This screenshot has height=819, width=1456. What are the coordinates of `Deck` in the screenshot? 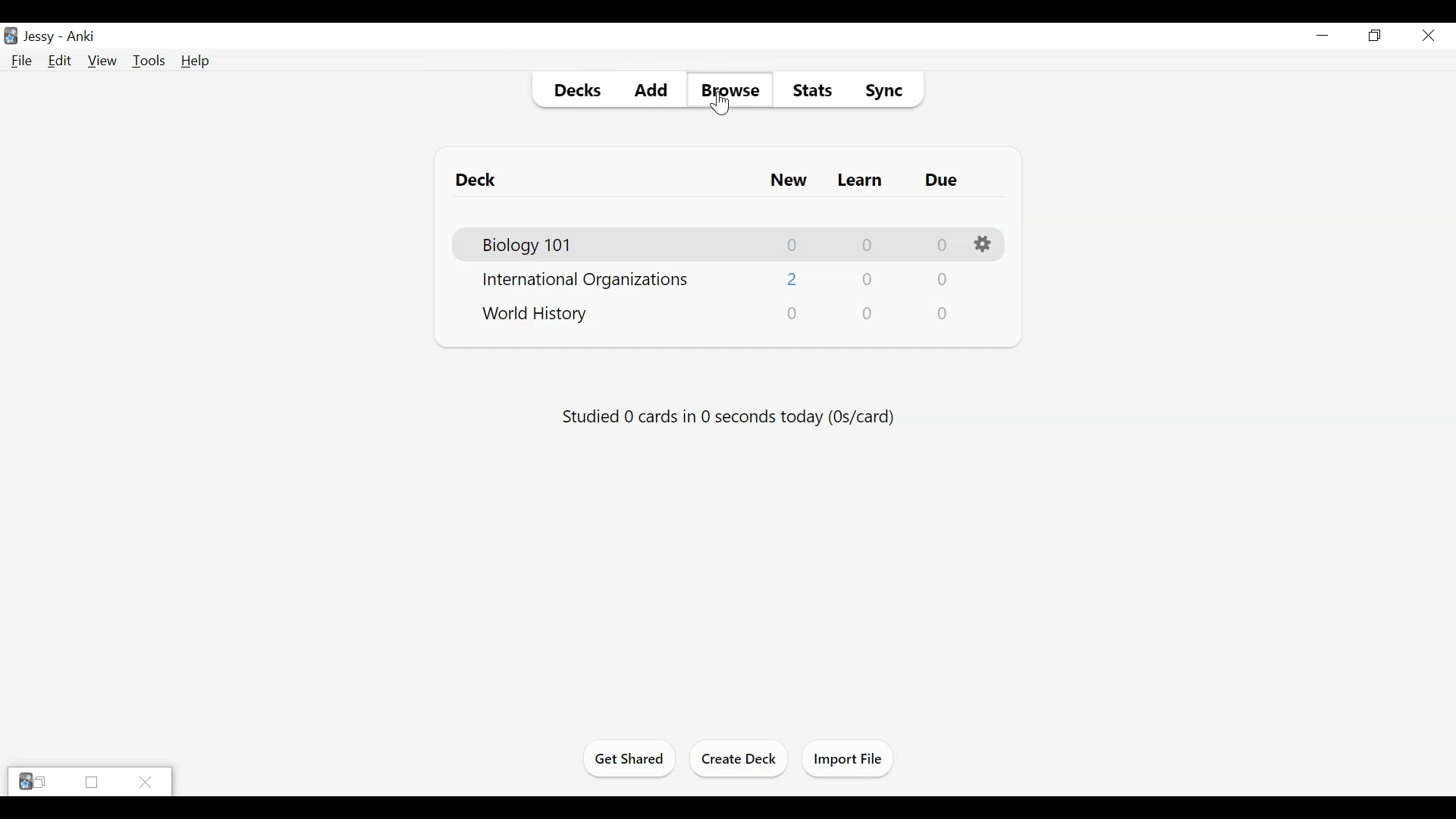 It's located at (476, 180).